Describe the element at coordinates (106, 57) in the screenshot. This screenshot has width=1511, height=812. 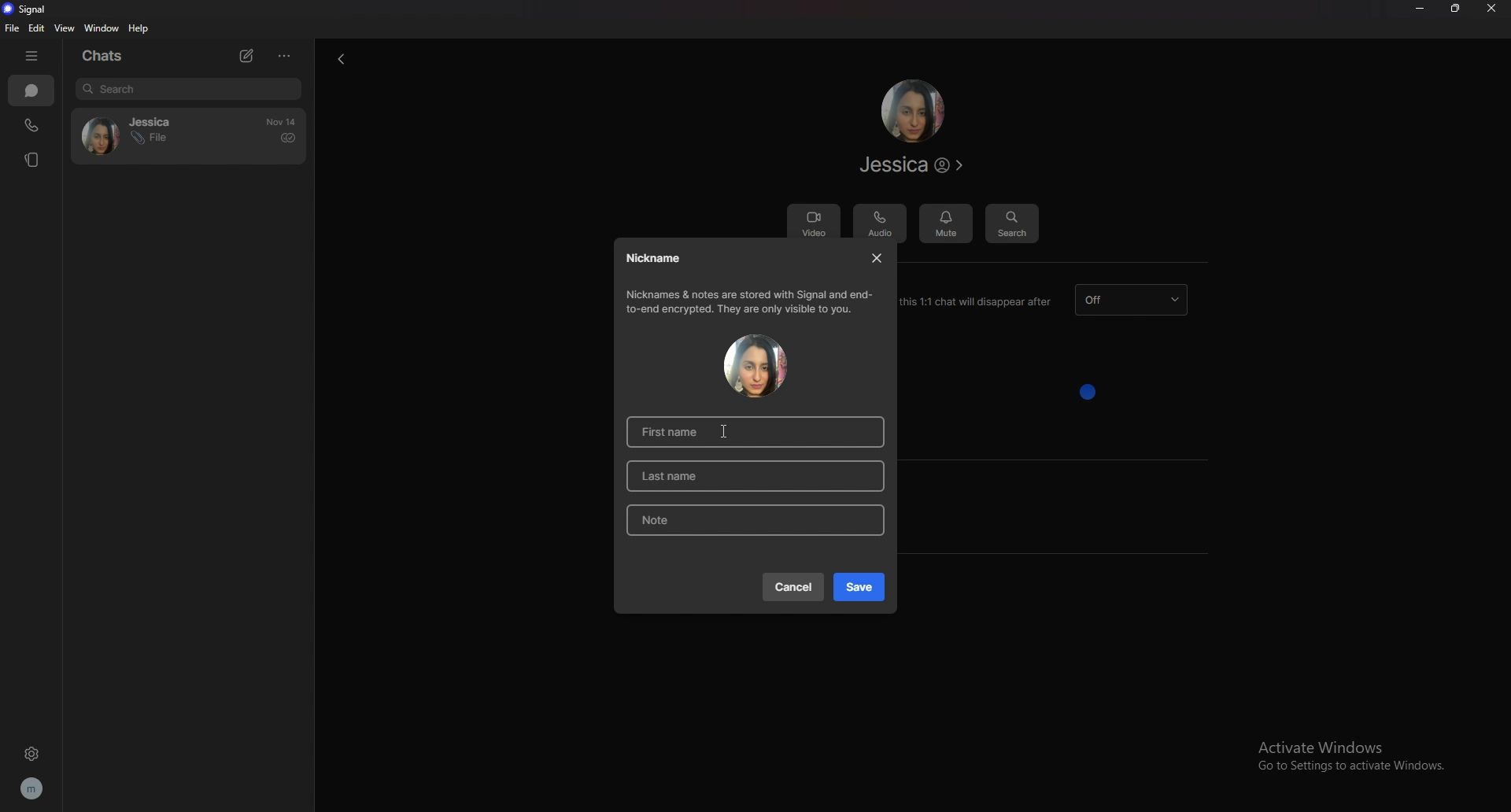
I see `chats` at that location.